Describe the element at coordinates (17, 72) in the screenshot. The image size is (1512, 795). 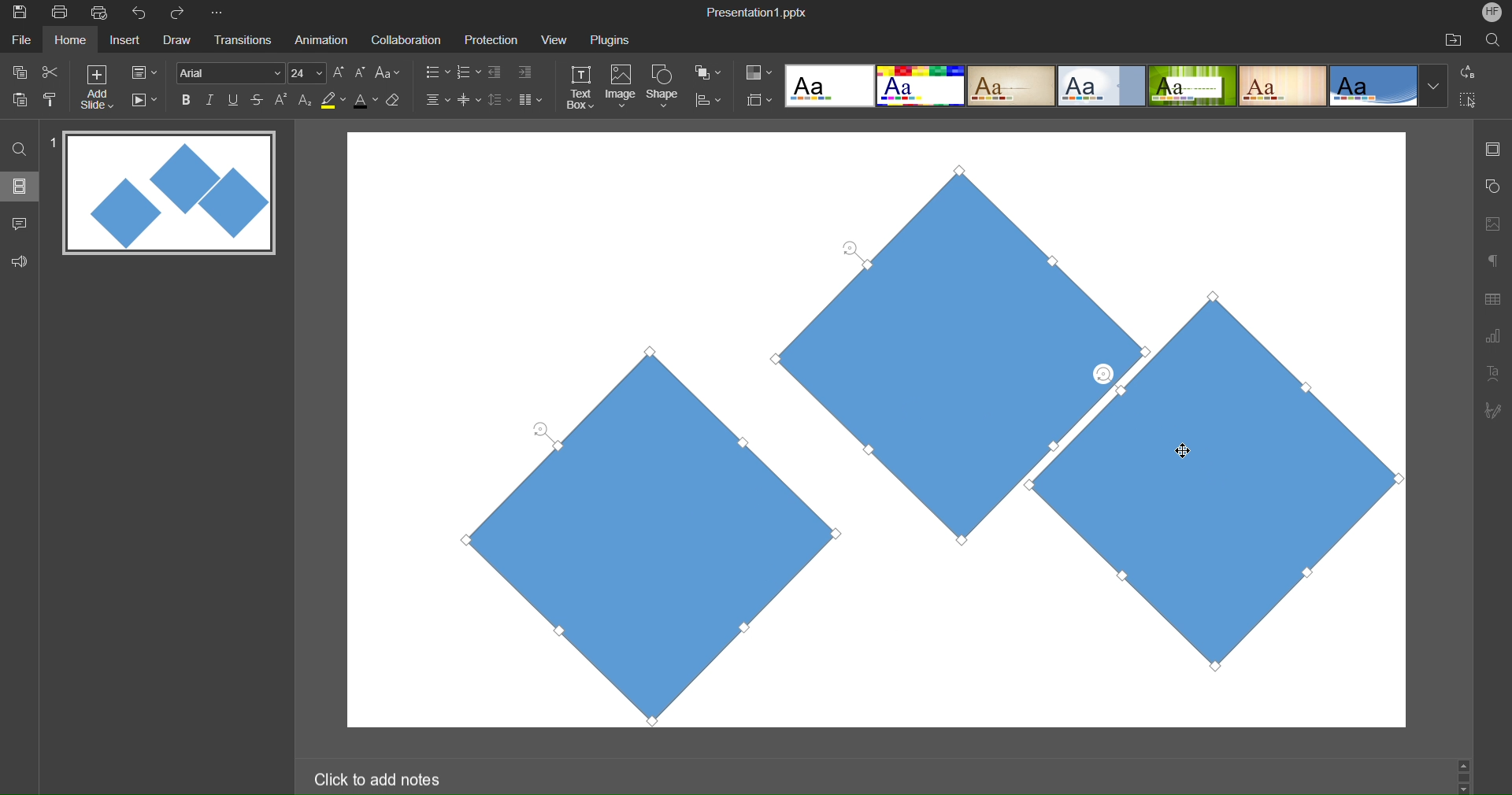
I see `copy` at that location.